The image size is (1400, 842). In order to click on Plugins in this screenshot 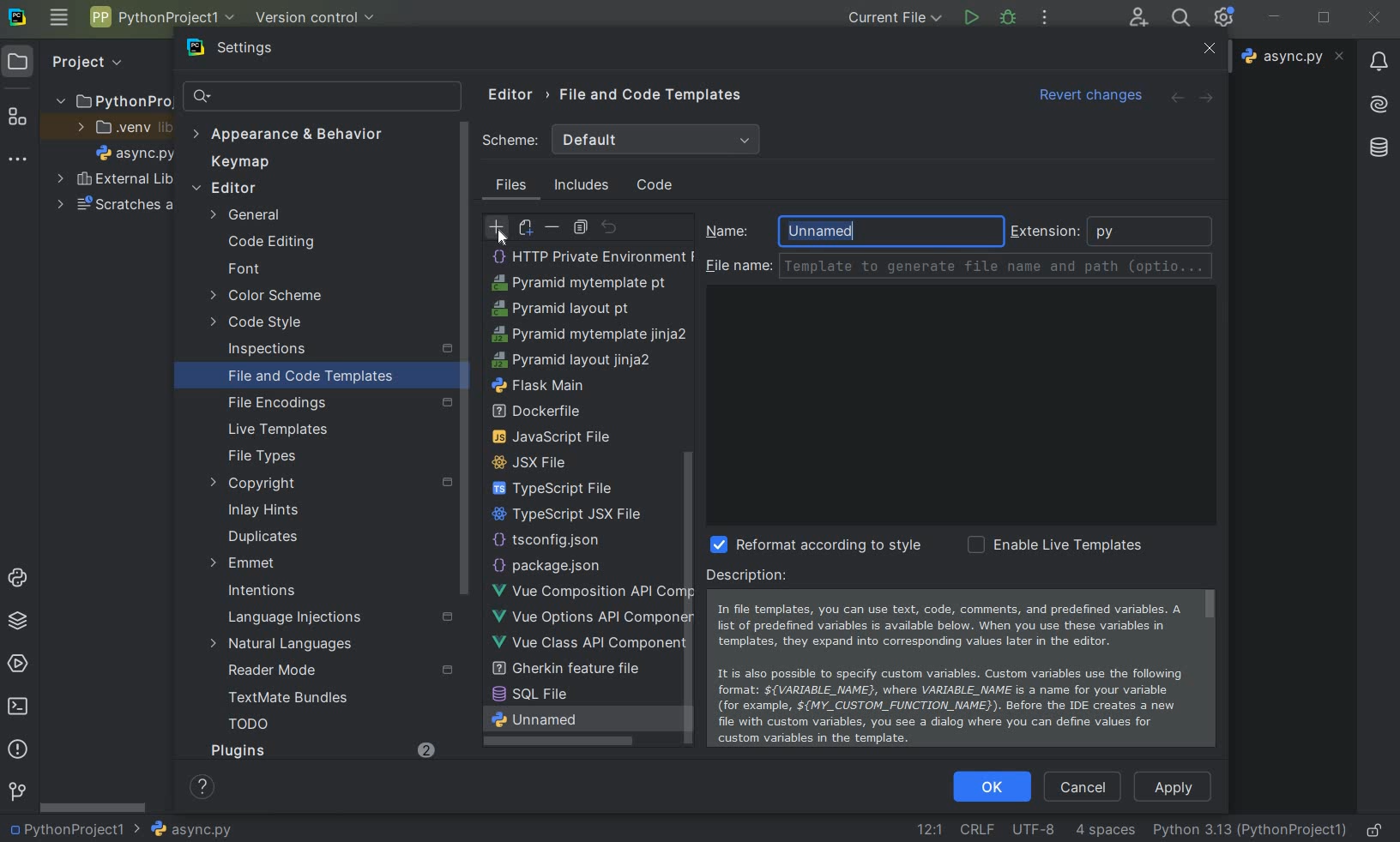, I will do `click(320, 753)`.